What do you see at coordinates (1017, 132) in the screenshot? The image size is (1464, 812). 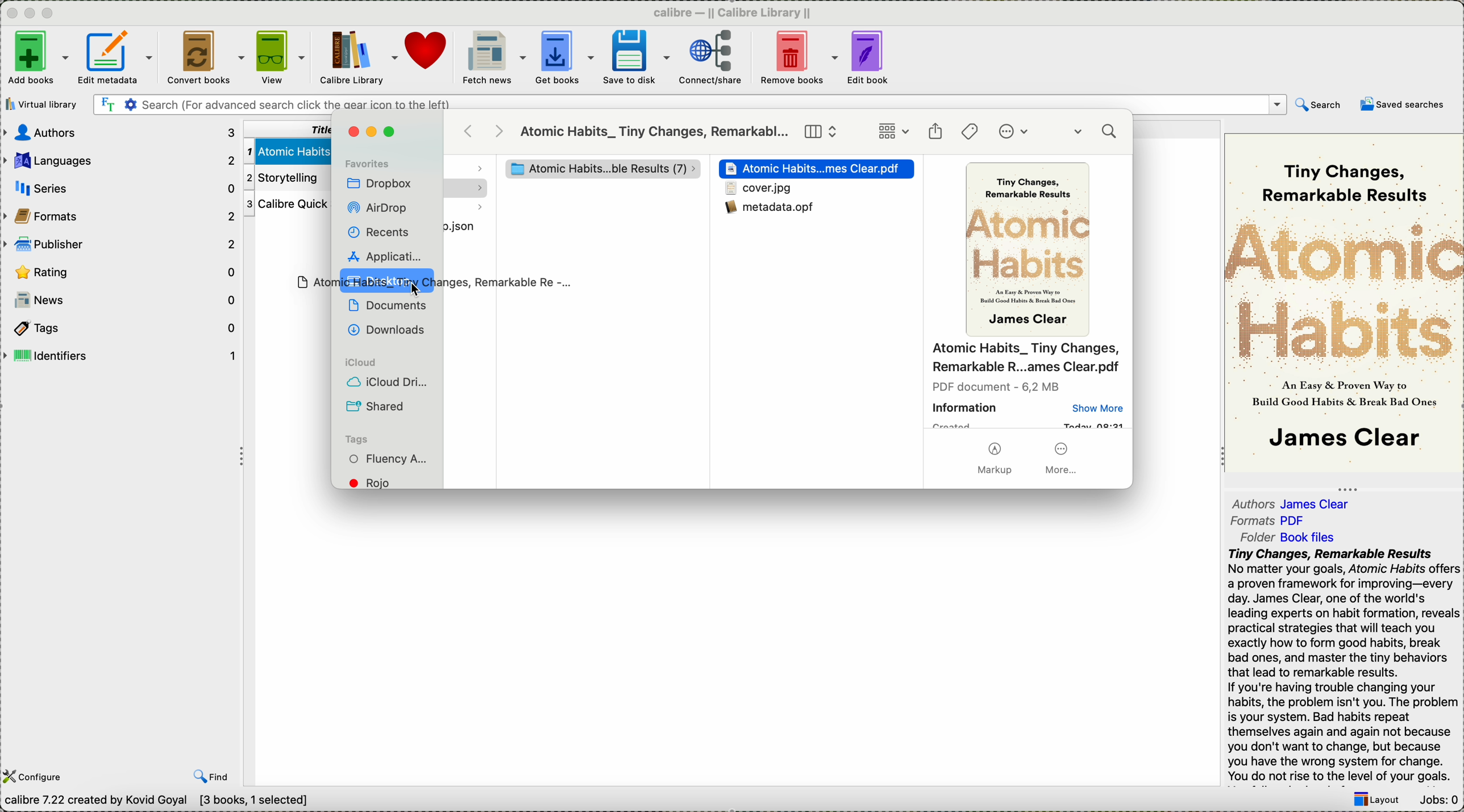 I see `more options` at bounding box center [1017, 132].